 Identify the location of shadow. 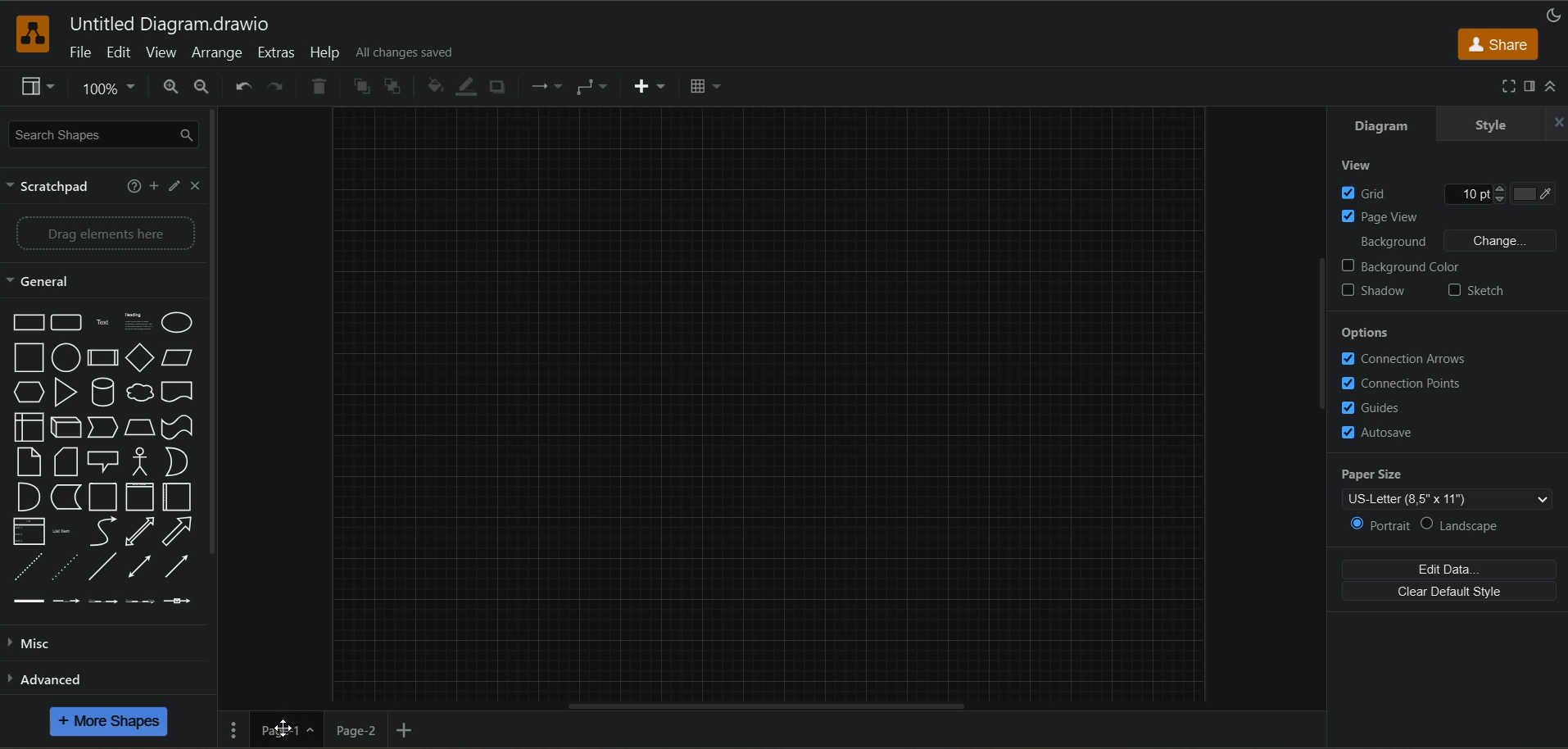
(499, 86).